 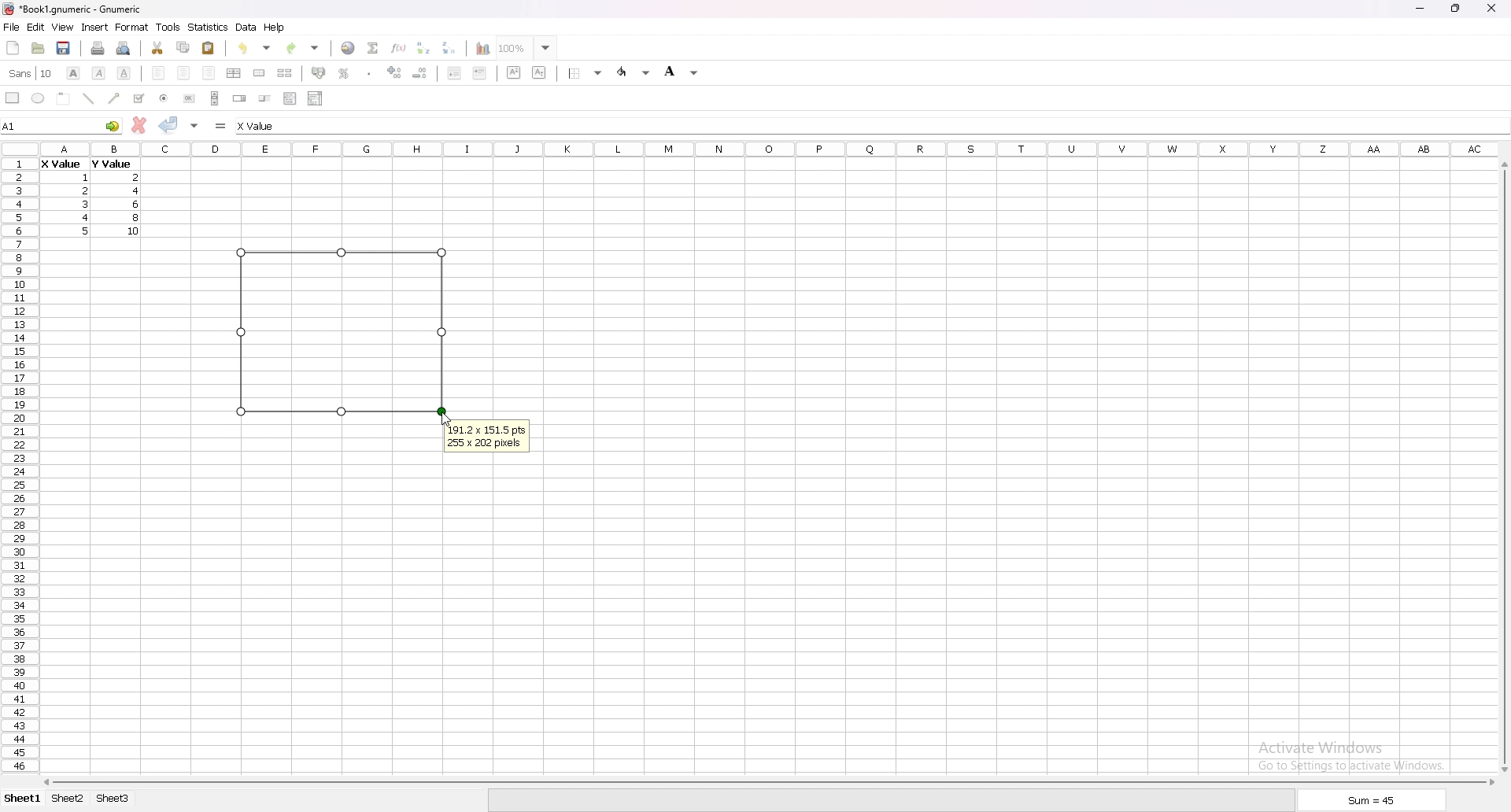 I want to click on print preview, so click(x=124, y=48).